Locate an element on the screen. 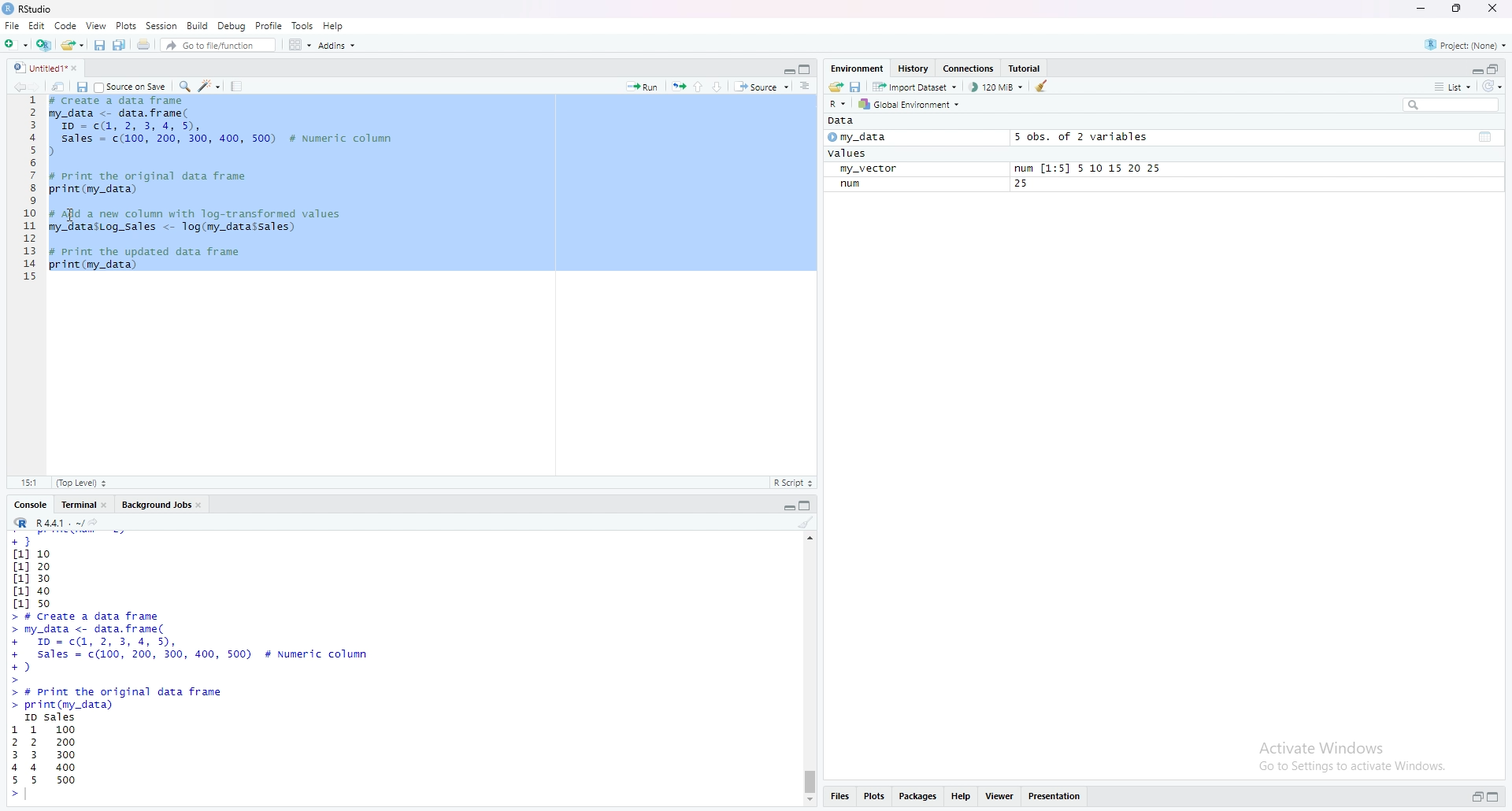  close is located at coordinates (1499, 9).